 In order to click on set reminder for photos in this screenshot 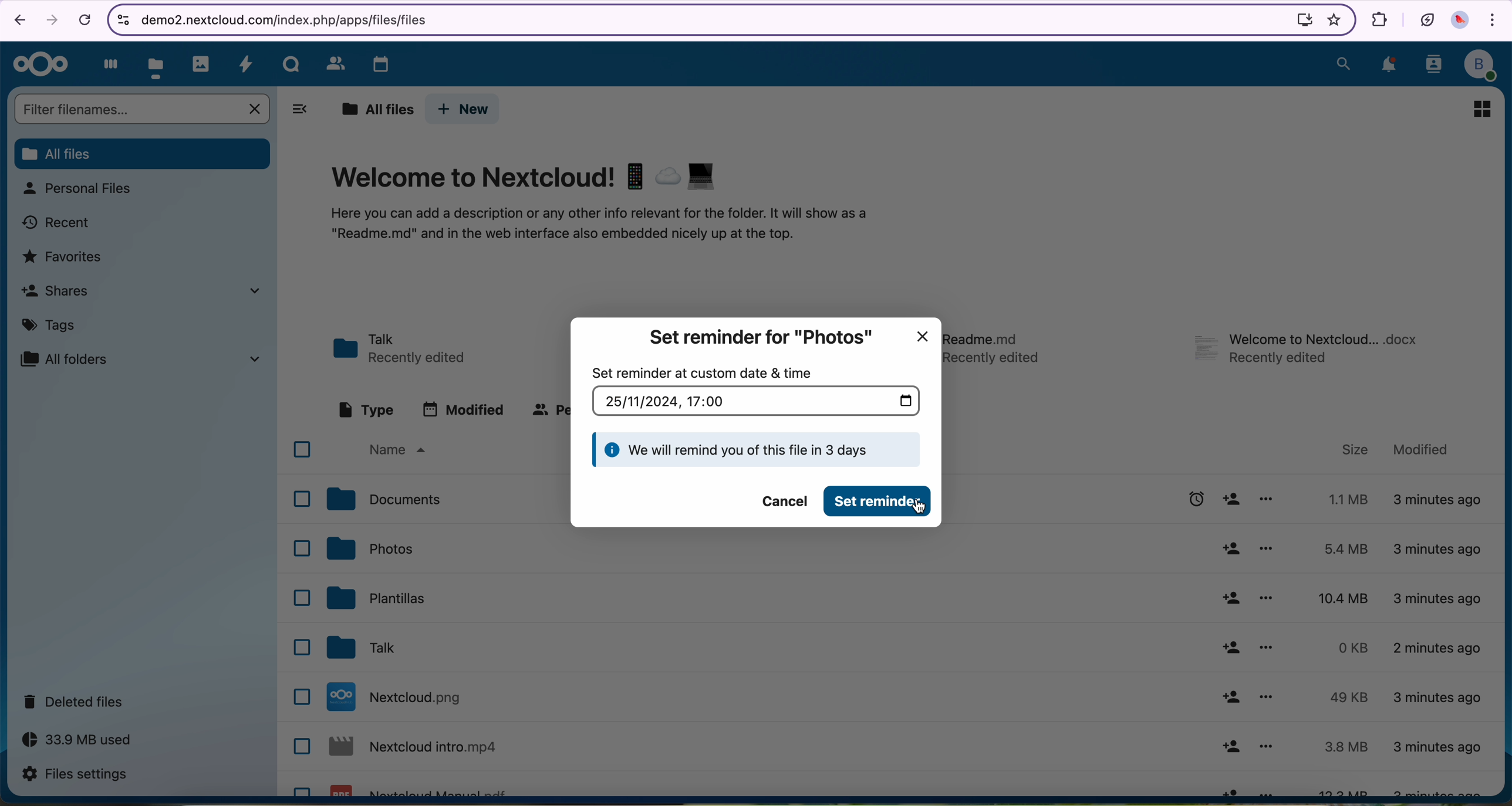, I will do `click(759, 337)`.